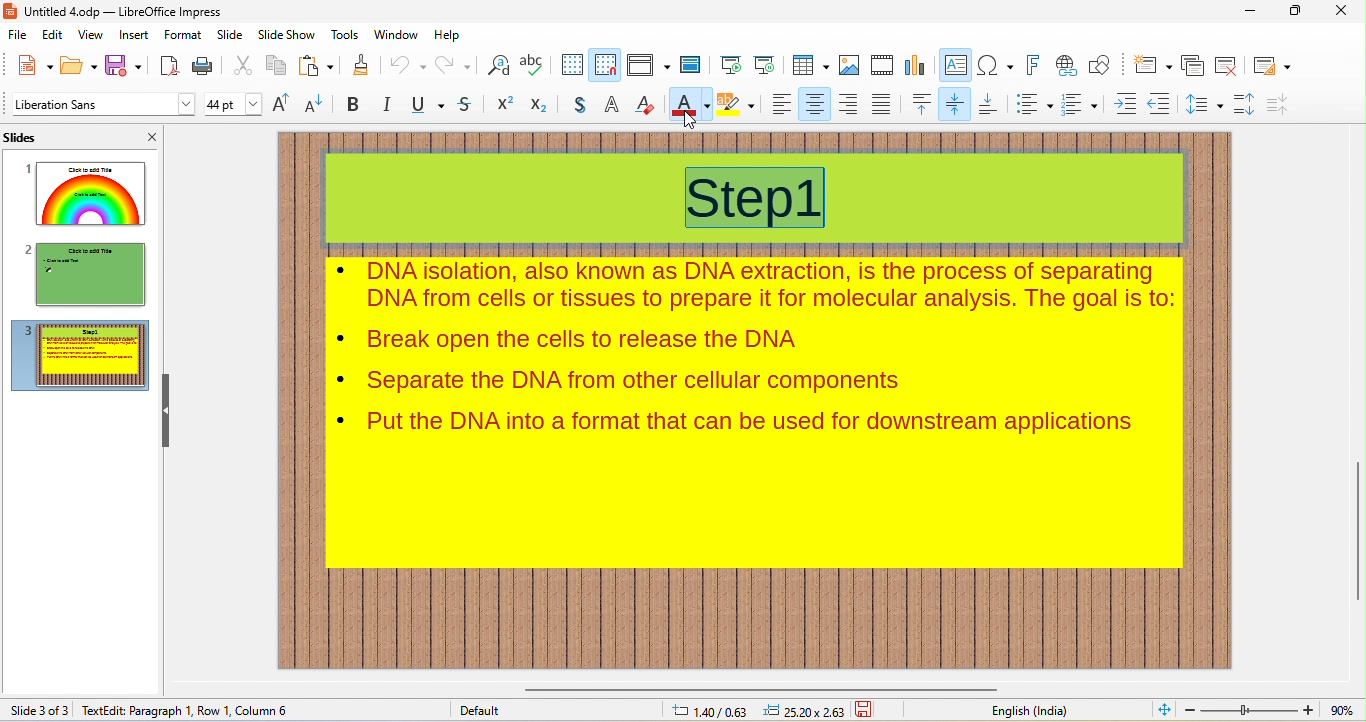 This screenshot has width=1366, height=722. I want to click on zoom, so click(1272, 709).